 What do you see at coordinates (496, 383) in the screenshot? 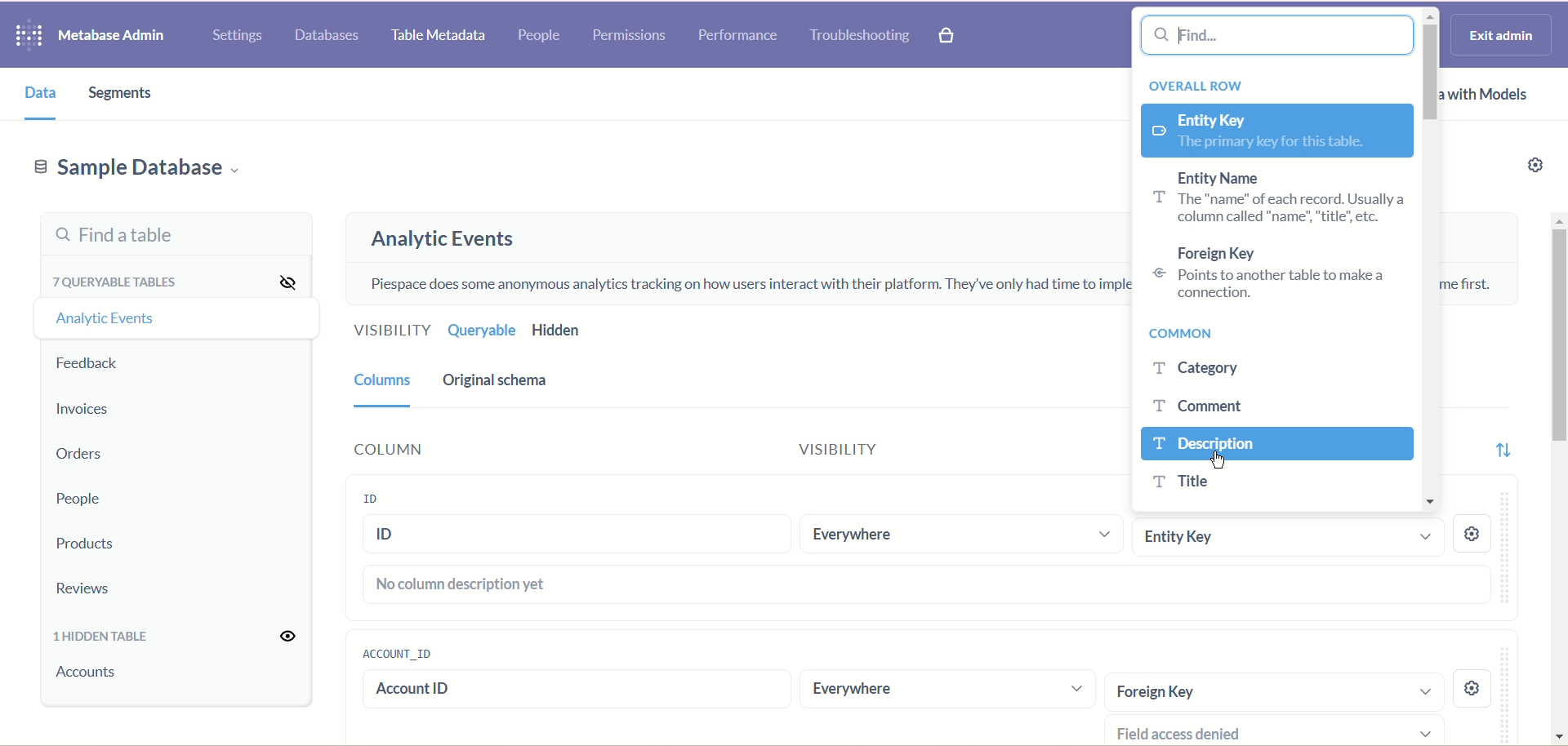
I see `original schema` at bounding box center [496, 383].